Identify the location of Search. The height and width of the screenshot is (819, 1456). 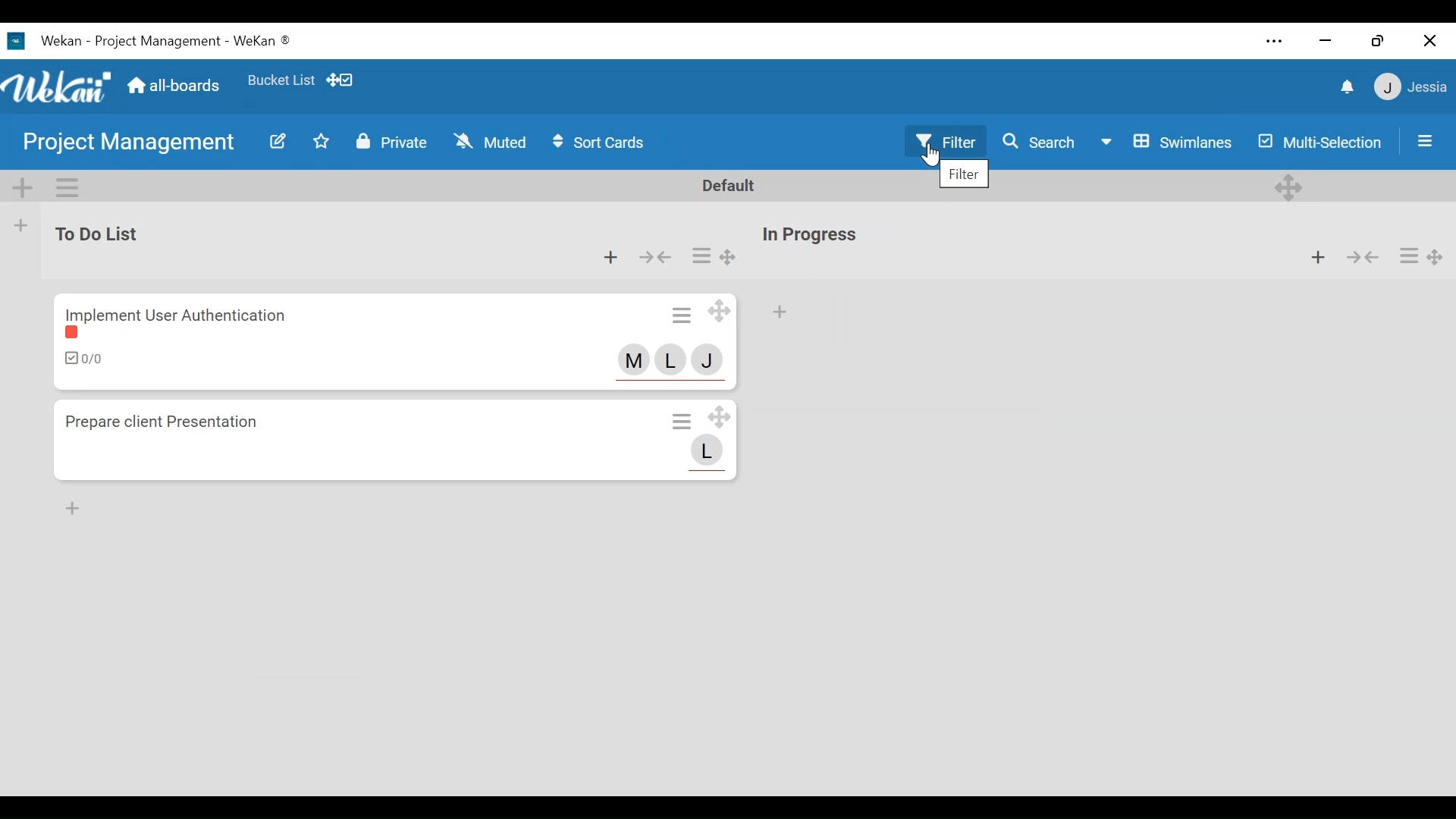
(1040, 142).